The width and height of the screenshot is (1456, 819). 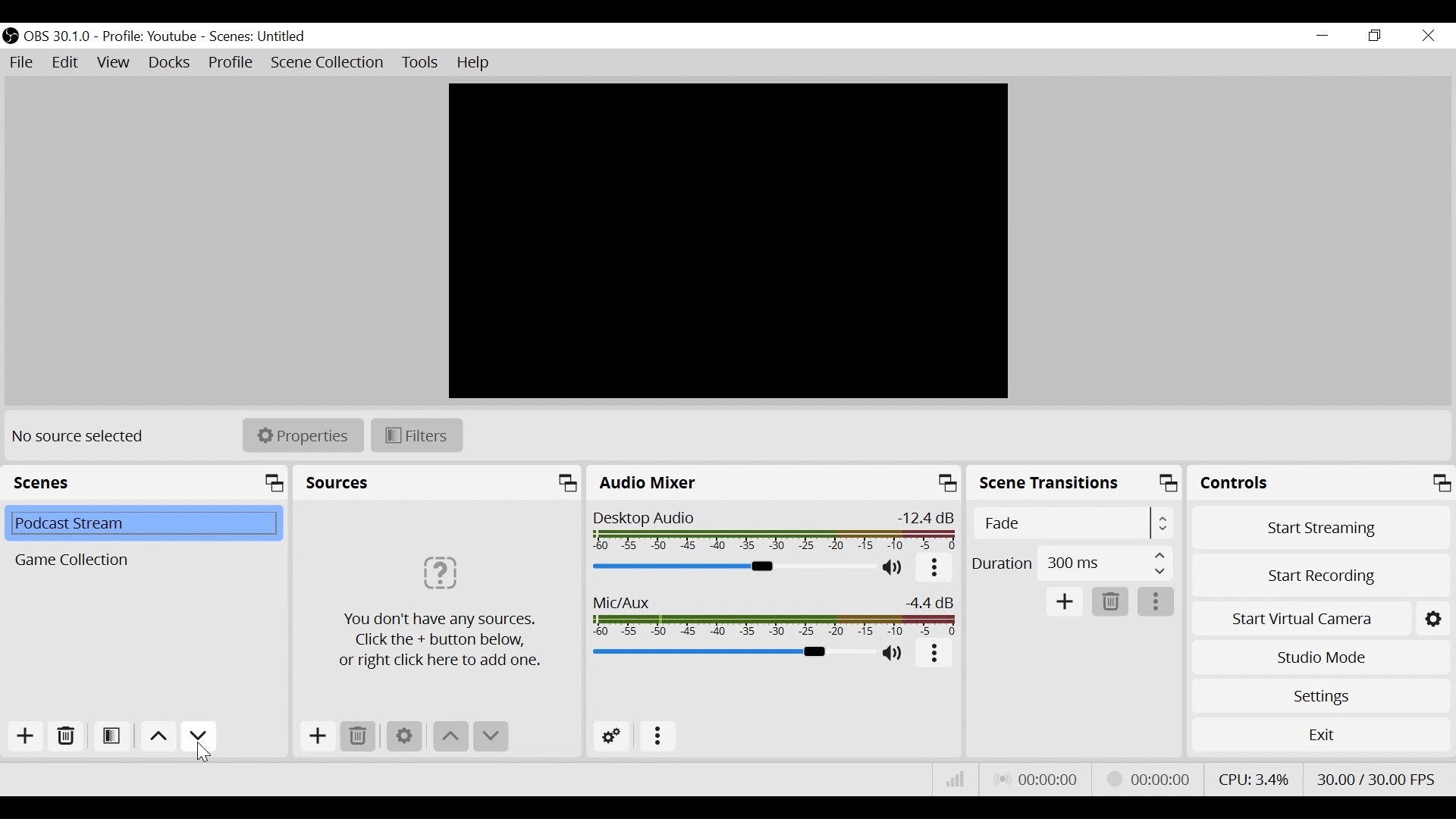 I want to click on Profile , so click(x=152, y=36).